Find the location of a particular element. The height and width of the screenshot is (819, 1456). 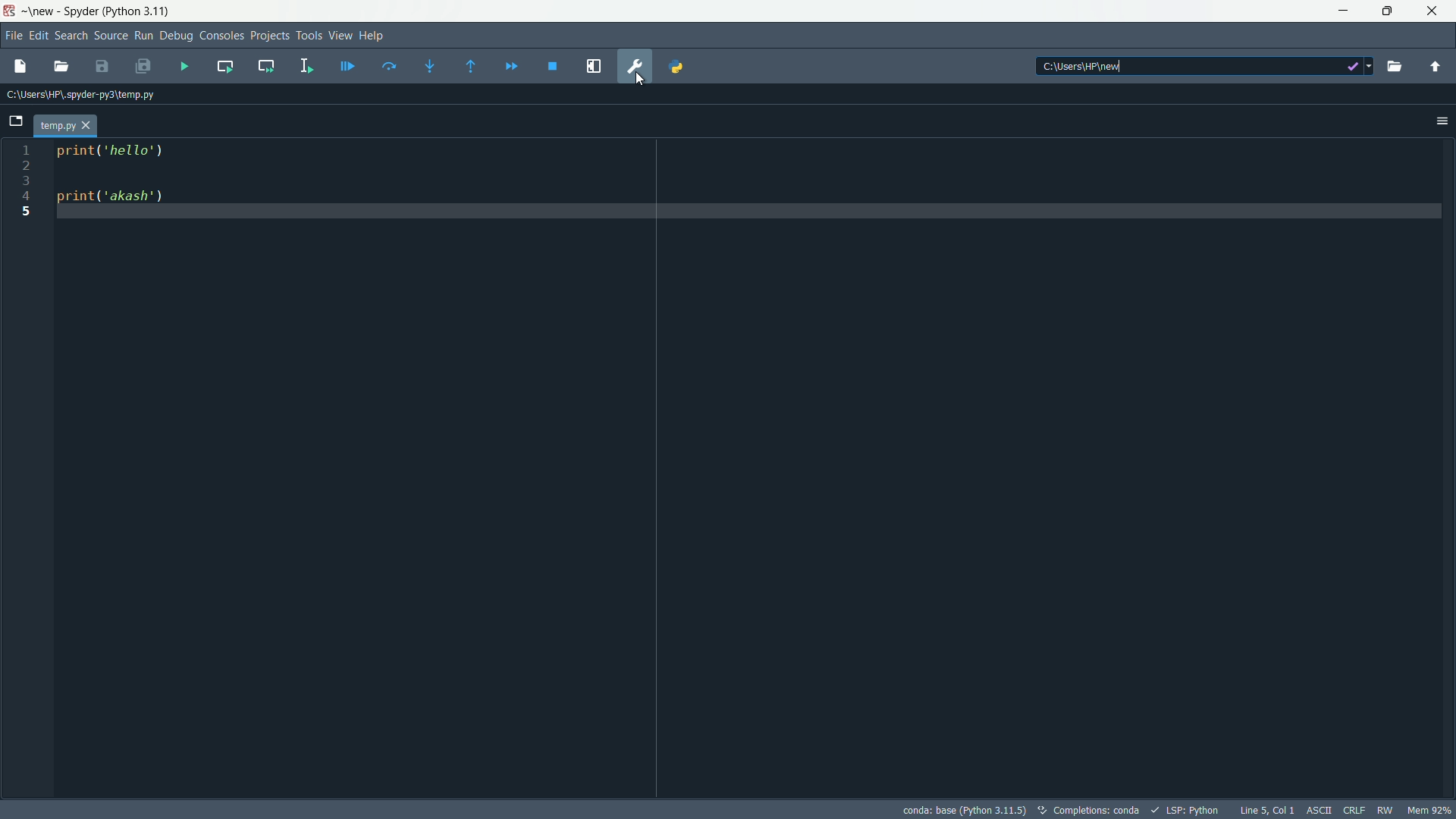

minimize is located at coordinates (1343, 11).